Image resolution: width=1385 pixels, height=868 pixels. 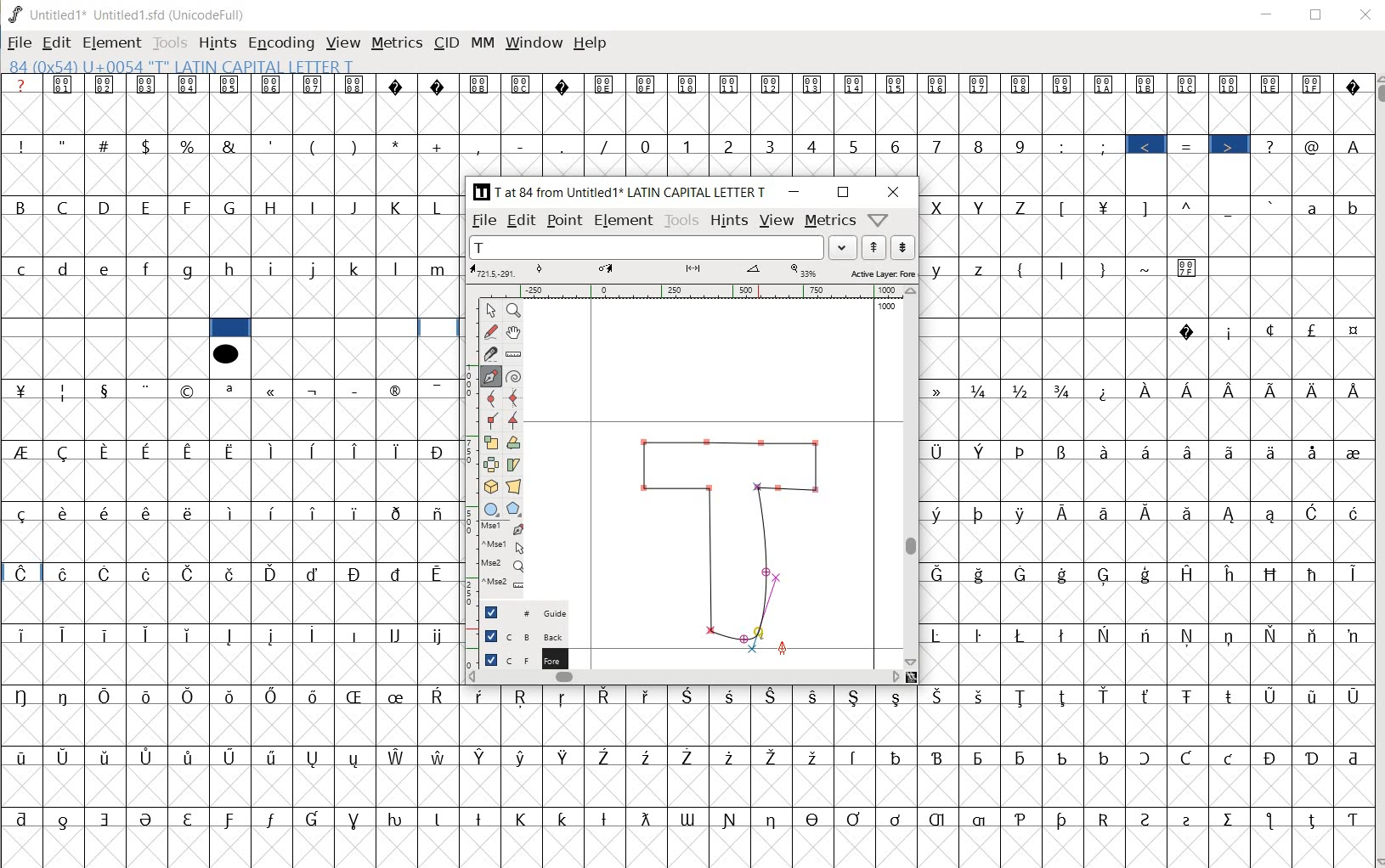 I want to click on Symbol, so click(x=1274, y=758).